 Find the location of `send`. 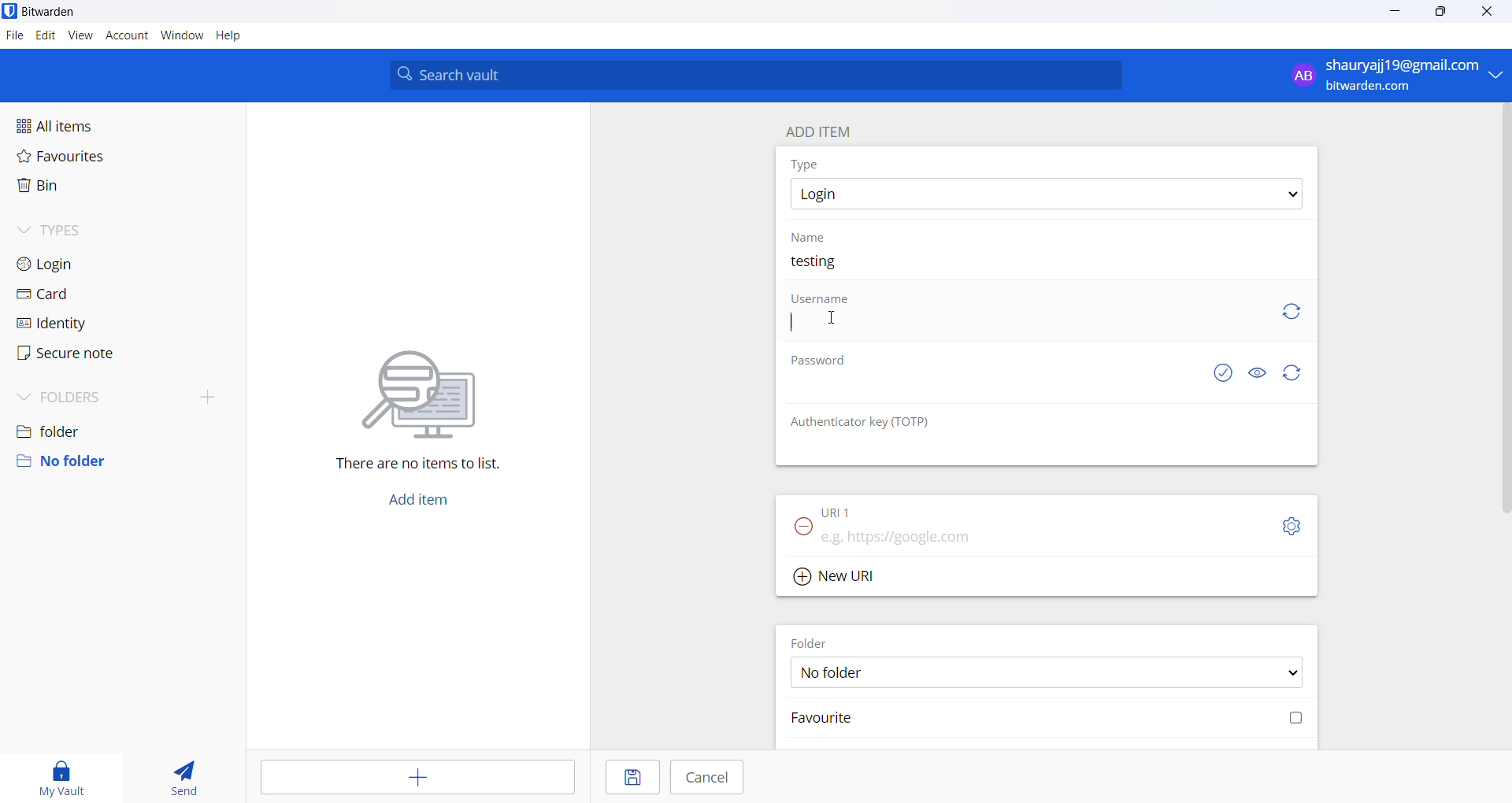

send is located at coordinates (186, 775).